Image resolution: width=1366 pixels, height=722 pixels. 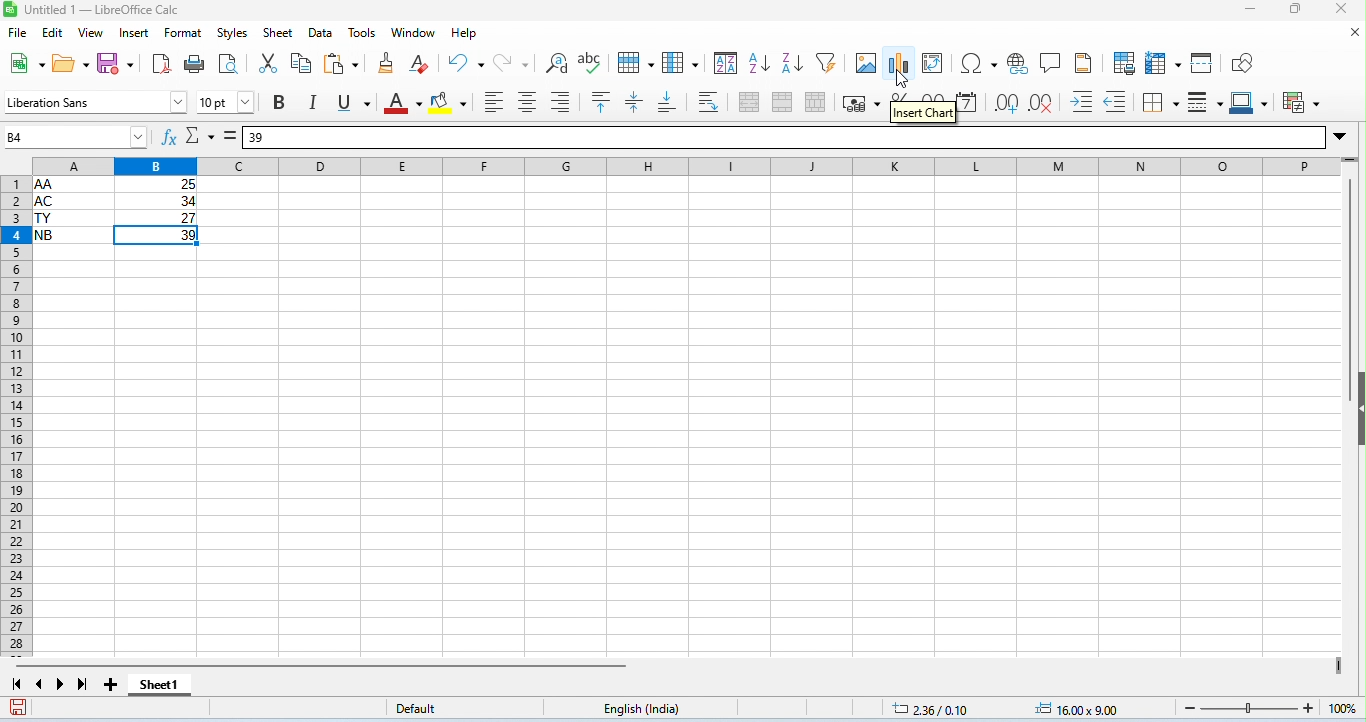 What do you see at coordinates (269, 63) in the screenshot?
I see `cut` at bounding box center [269, 63].